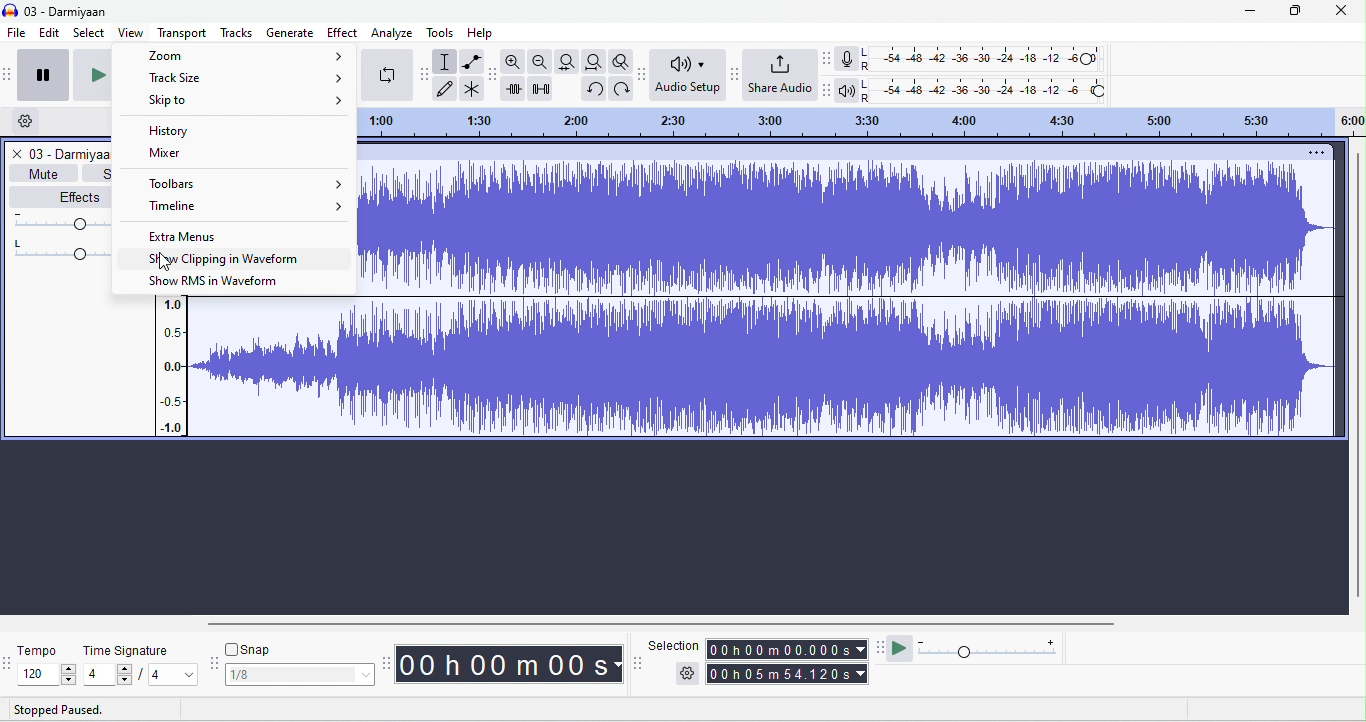  What do you see at coordinates (644, 74) in the screenshot?
I see `audacity audio set up toolbar` at bounding box center [644, 74].